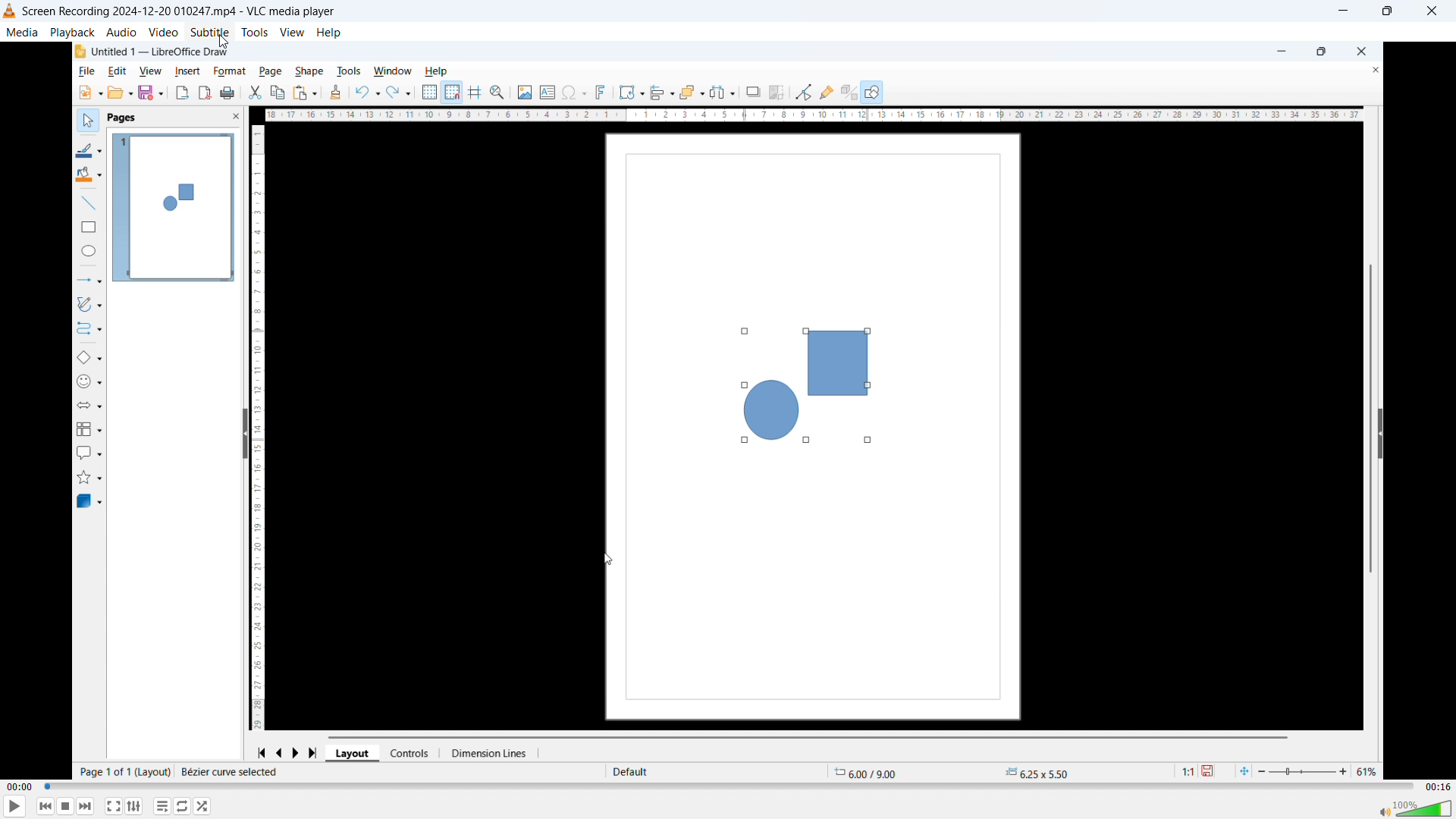 This screenshot has height=819, width=1456. What do you see at coordinates (1278, 50) in the screenshot?
I see `minimize` at bounding box center [1278, 50].